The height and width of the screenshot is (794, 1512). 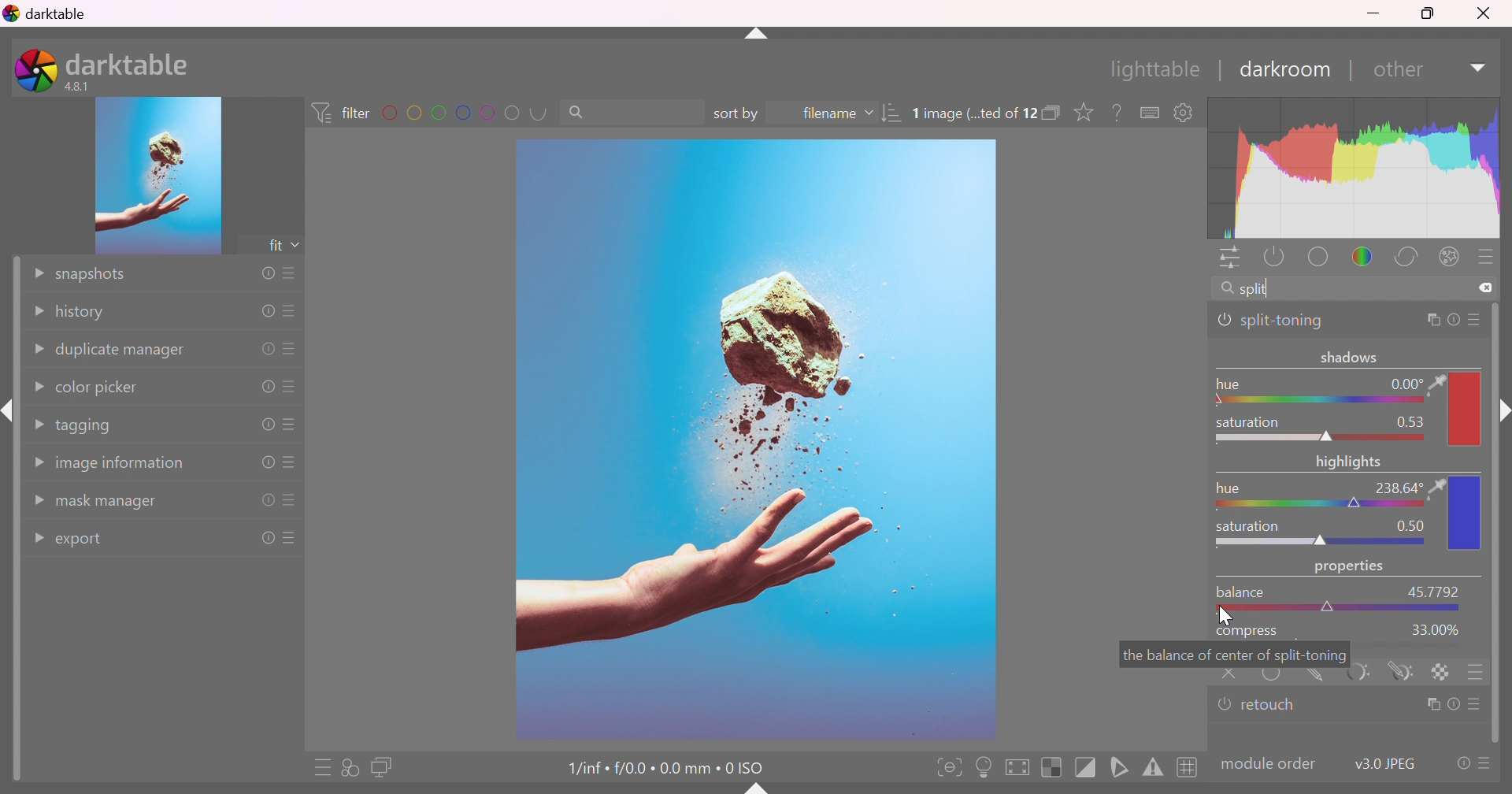 What do you see at coordinates (94, 276) in the screenshot?
I see `snapshots` at bounding box center [94, 276].